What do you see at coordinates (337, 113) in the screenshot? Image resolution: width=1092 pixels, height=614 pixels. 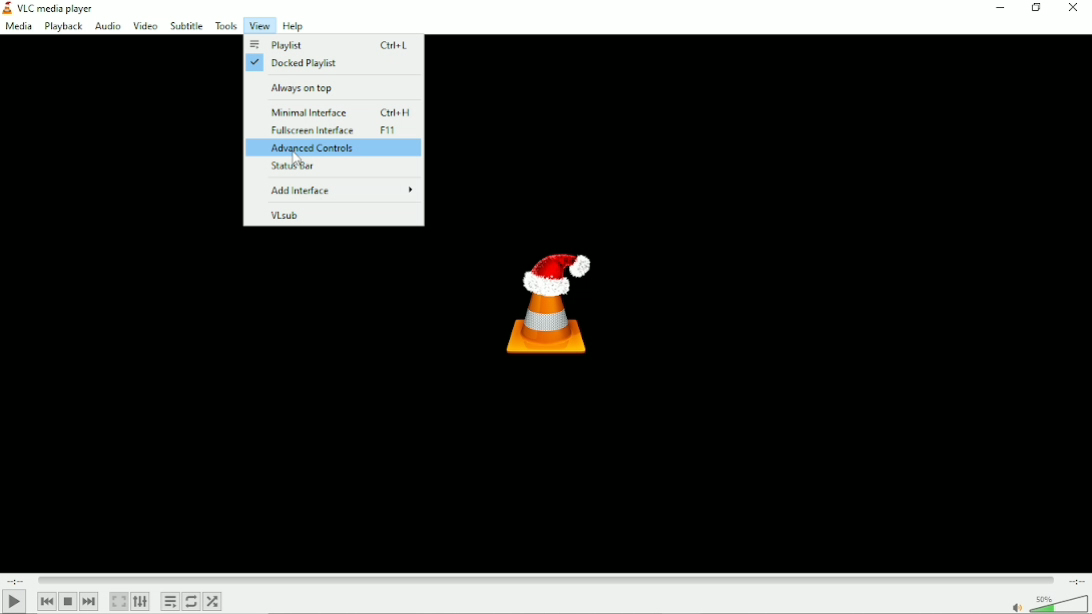 I see `Minimal interface` at bounding box center [337, 113].